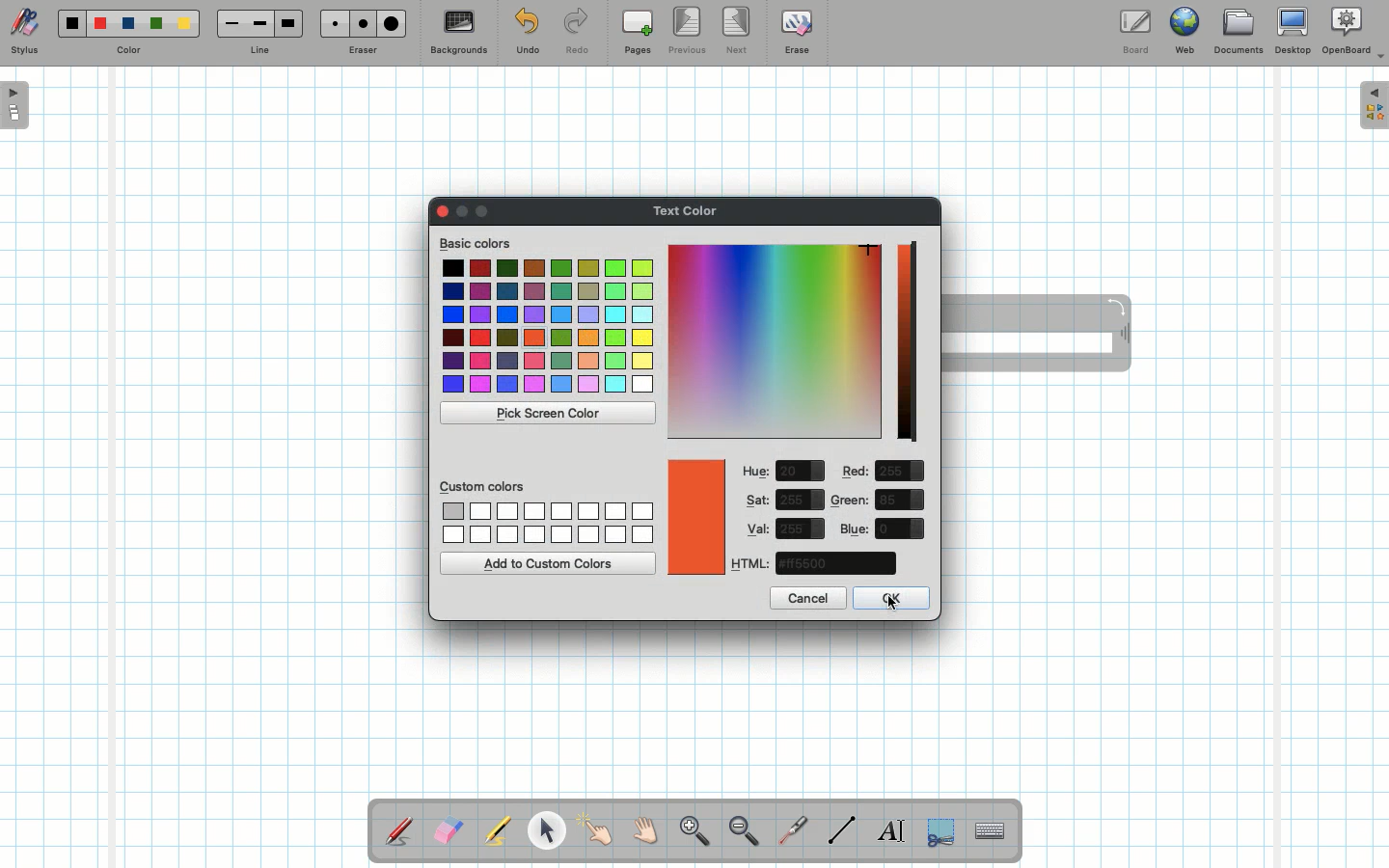  I want to click on Small eraser, so click(330, 23).